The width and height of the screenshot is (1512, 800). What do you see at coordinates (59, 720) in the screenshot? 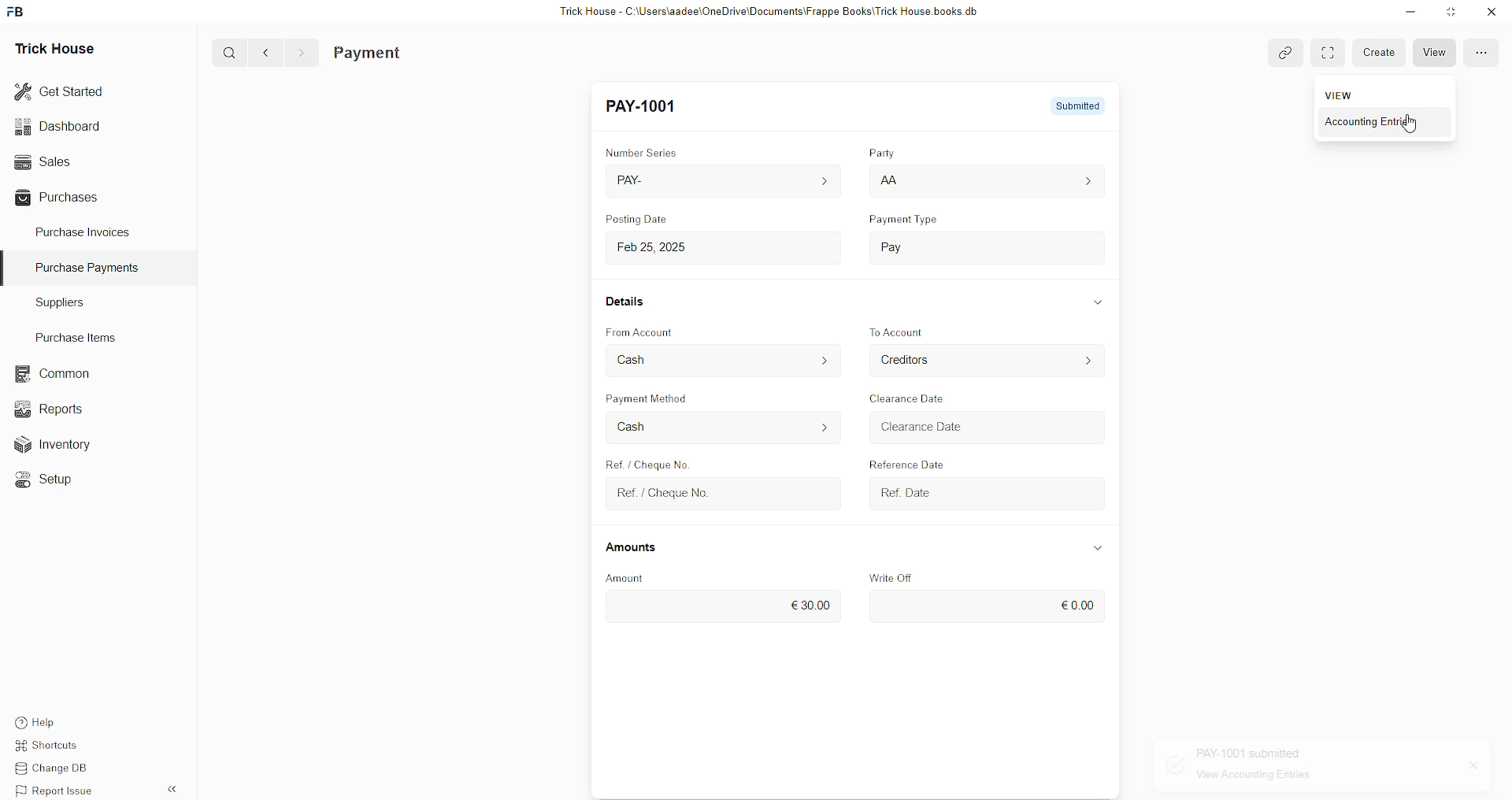
I see ` Help` at bounding box center [59, 720].